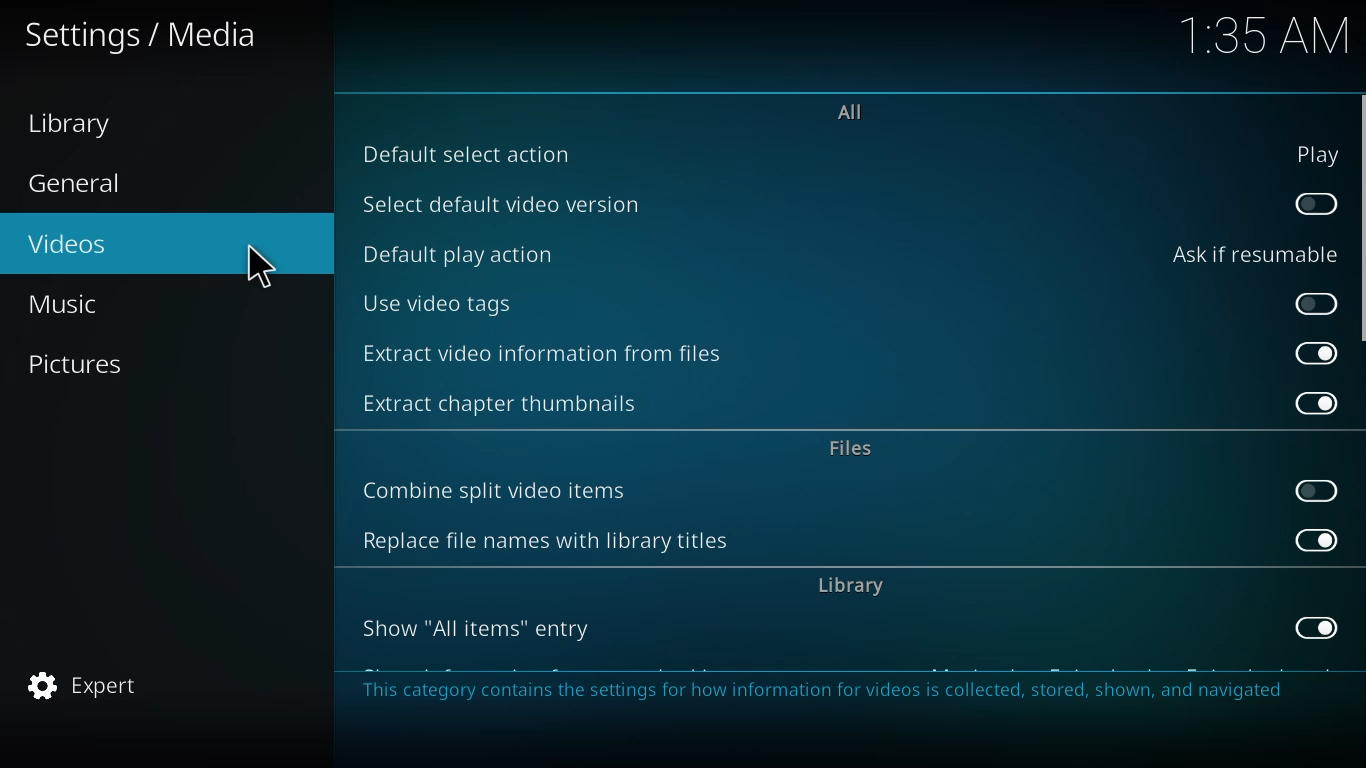 This screenshot has height=768, width=1366. I want to click on videos, so click(69, 242).